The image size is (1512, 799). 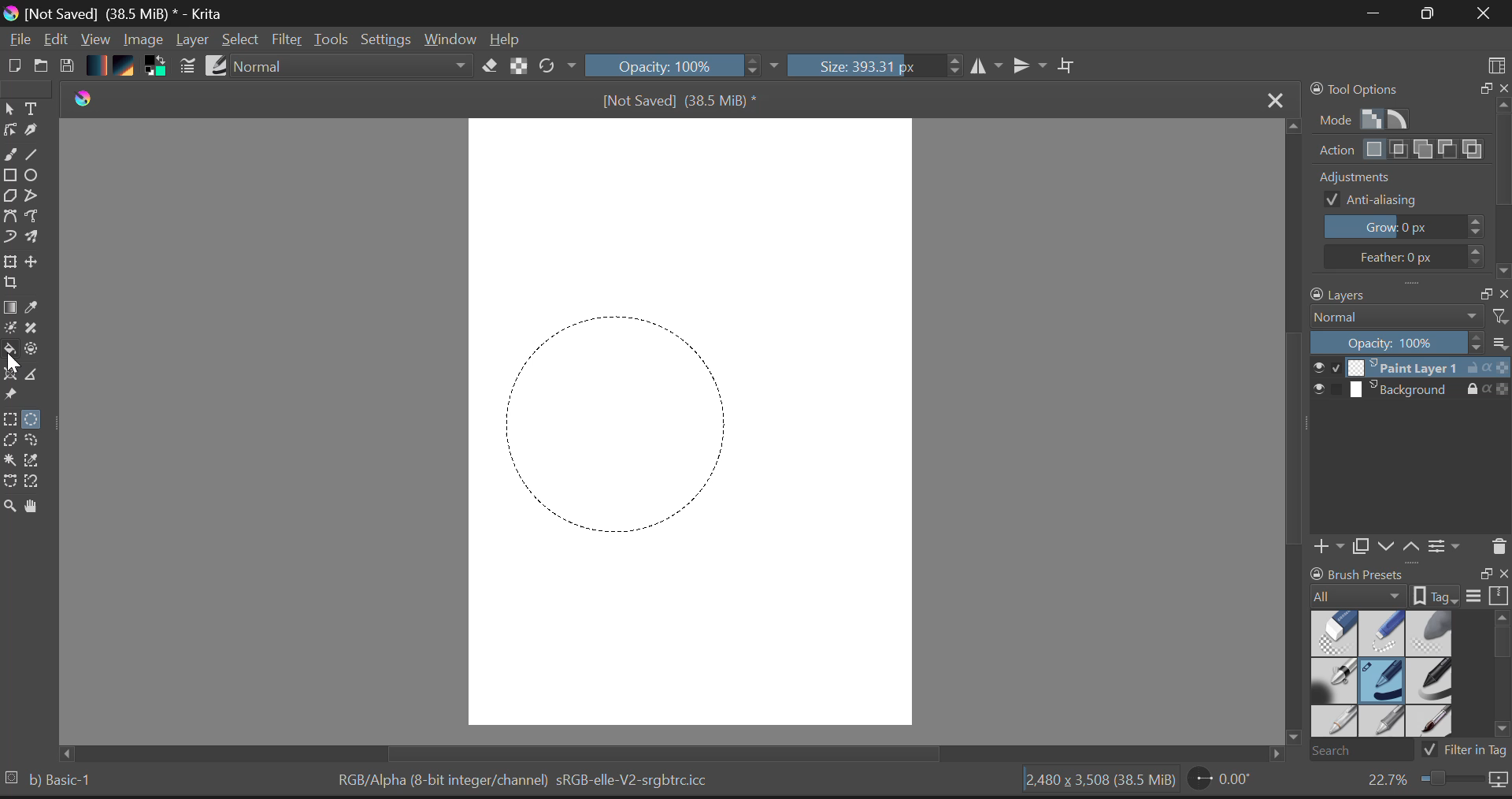 What do you see at coordinates (38, 375) in the screenshot?
I see `Measurements` at bounding box center [38, 375].